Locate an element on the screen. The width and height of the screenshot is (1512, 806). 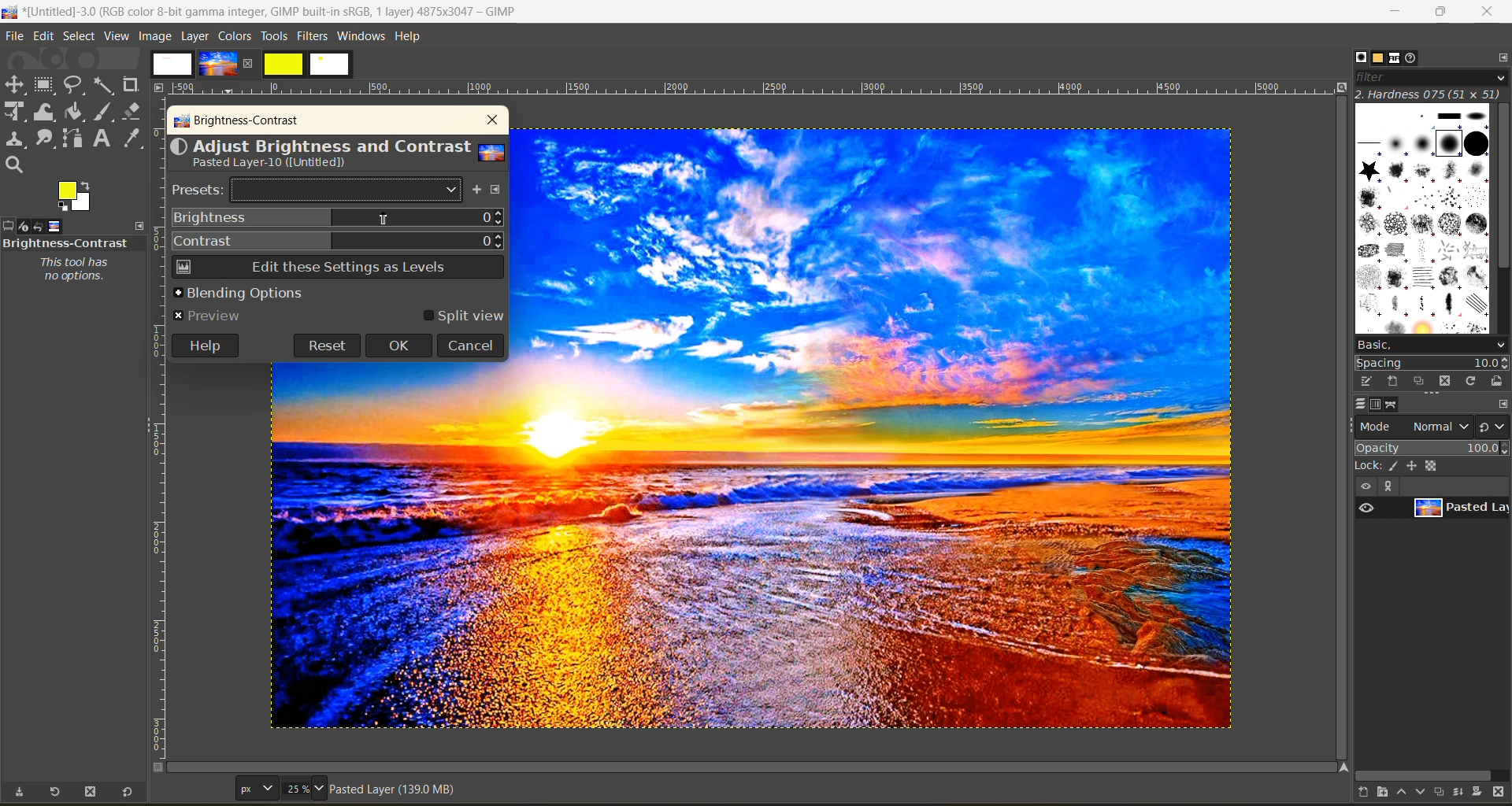
brushes is located at coordinates (1423, 219).